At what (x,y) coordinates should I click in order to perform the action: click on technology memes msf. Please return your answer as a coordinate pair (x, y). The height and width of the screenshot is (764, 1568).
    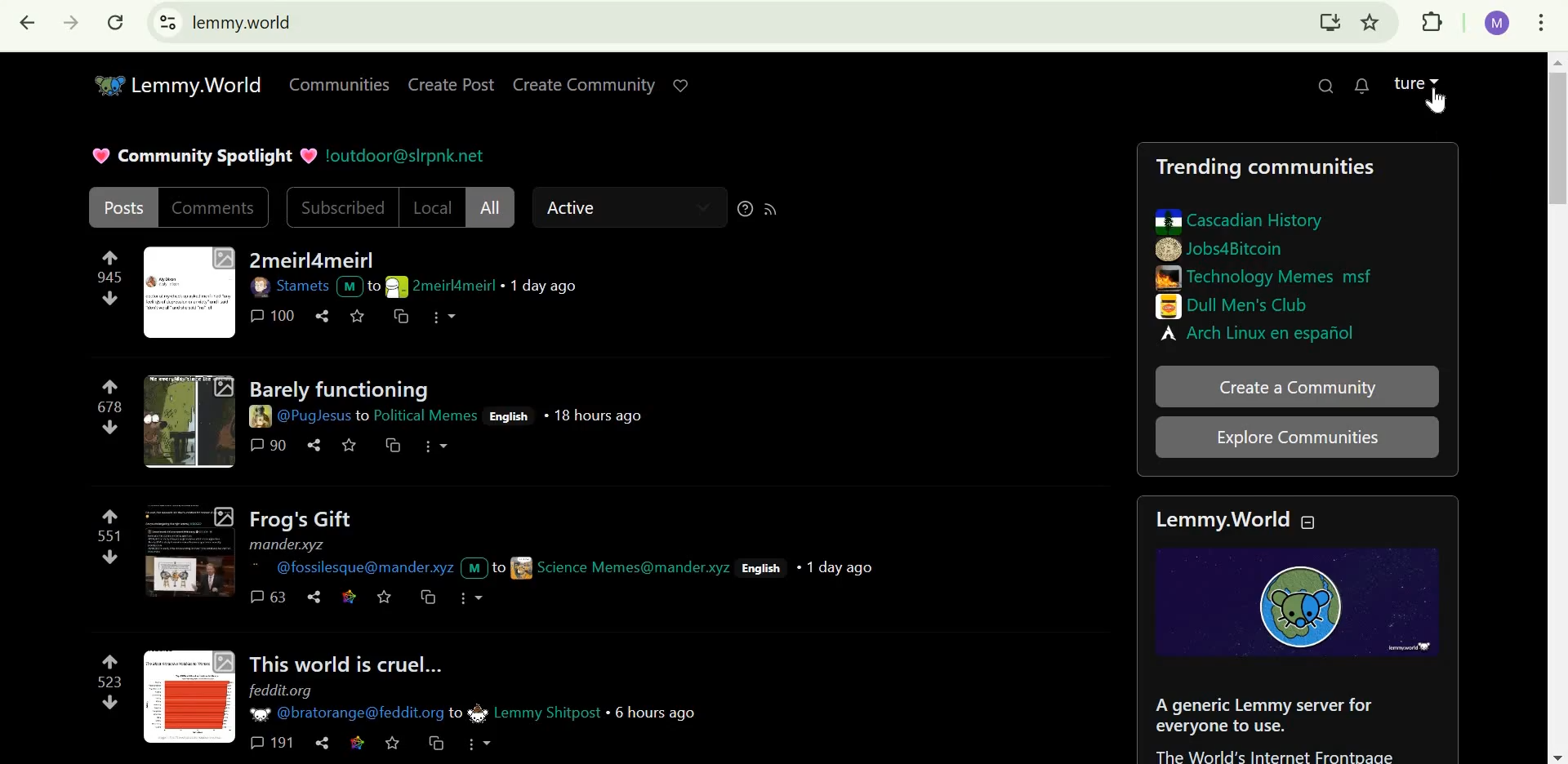
    Looking at the image, I should click on (1269, 276).